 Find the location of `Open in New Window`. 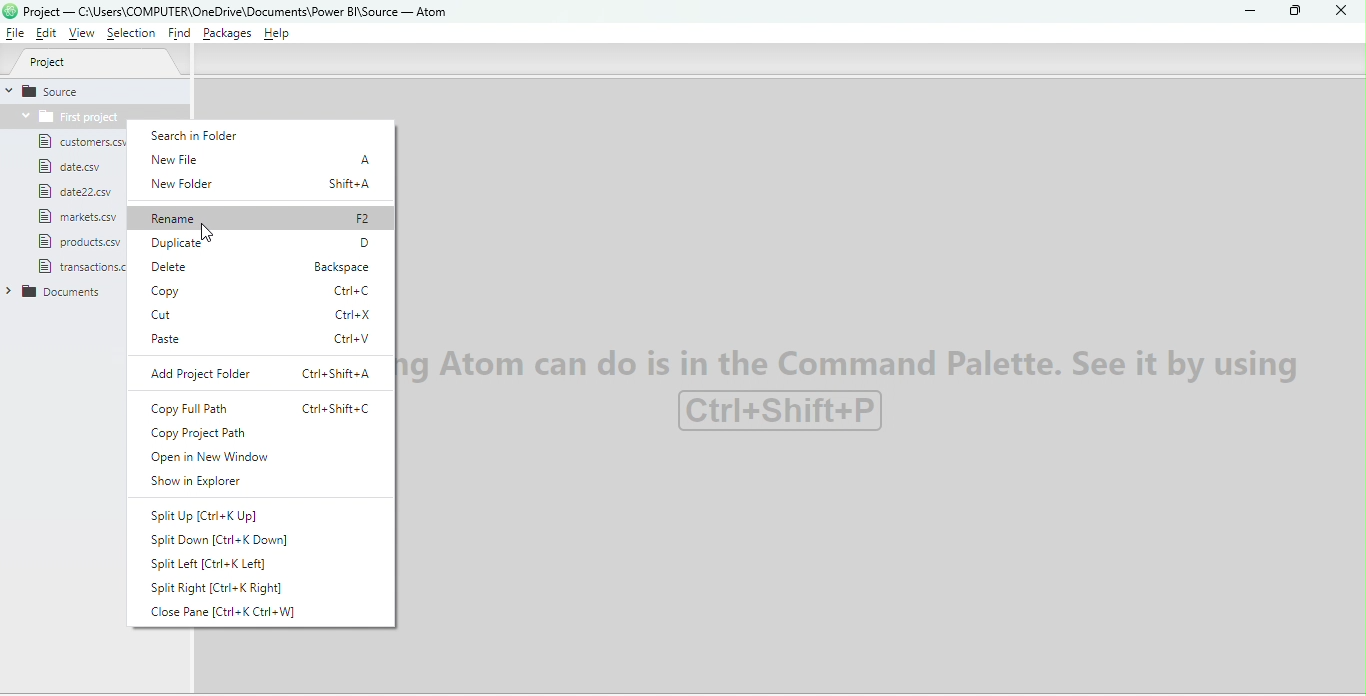

Open in New Window is located at coordinates (222, 457).